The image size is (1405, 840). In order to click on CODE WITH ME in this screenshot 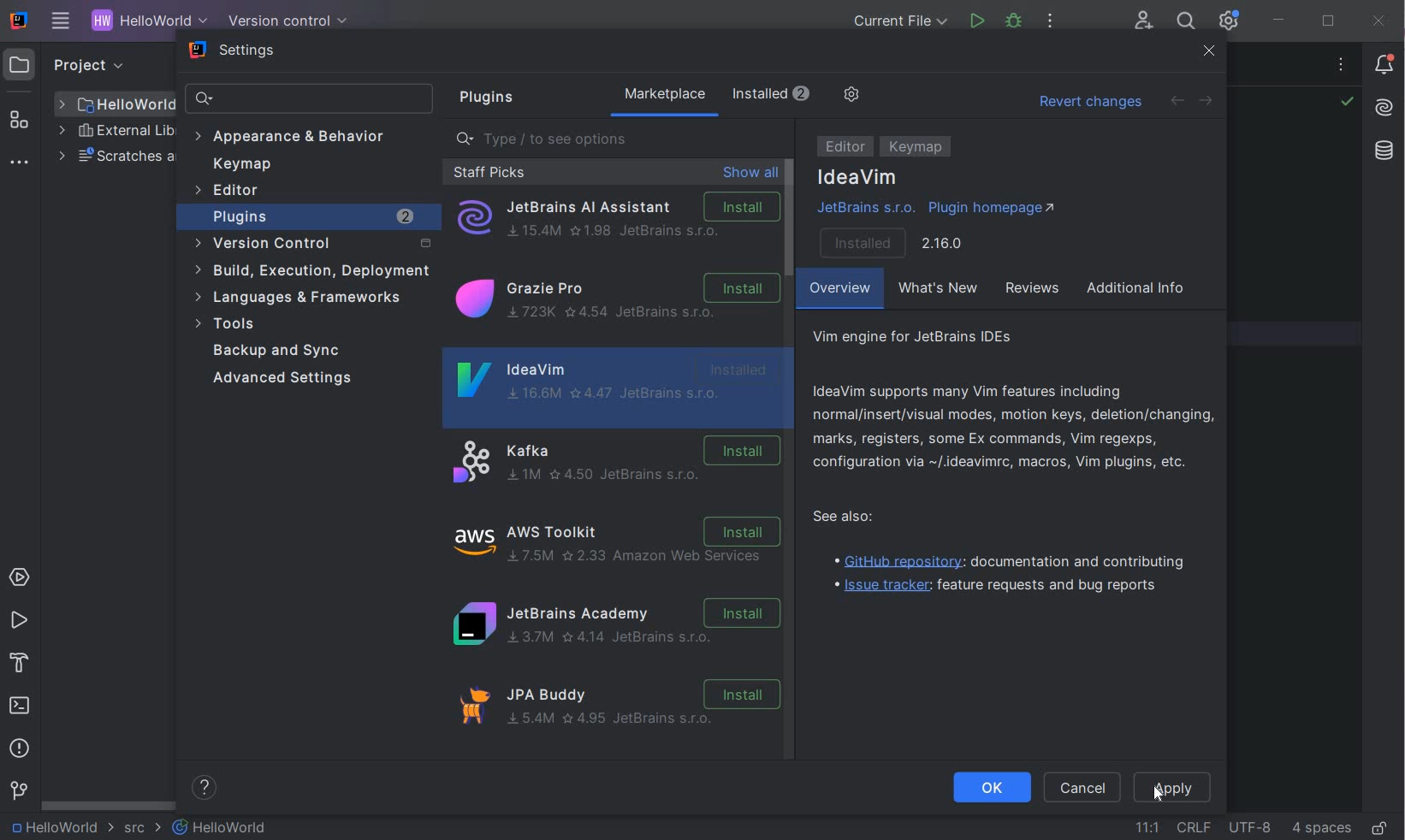, I will do `click(1145, 21)`.